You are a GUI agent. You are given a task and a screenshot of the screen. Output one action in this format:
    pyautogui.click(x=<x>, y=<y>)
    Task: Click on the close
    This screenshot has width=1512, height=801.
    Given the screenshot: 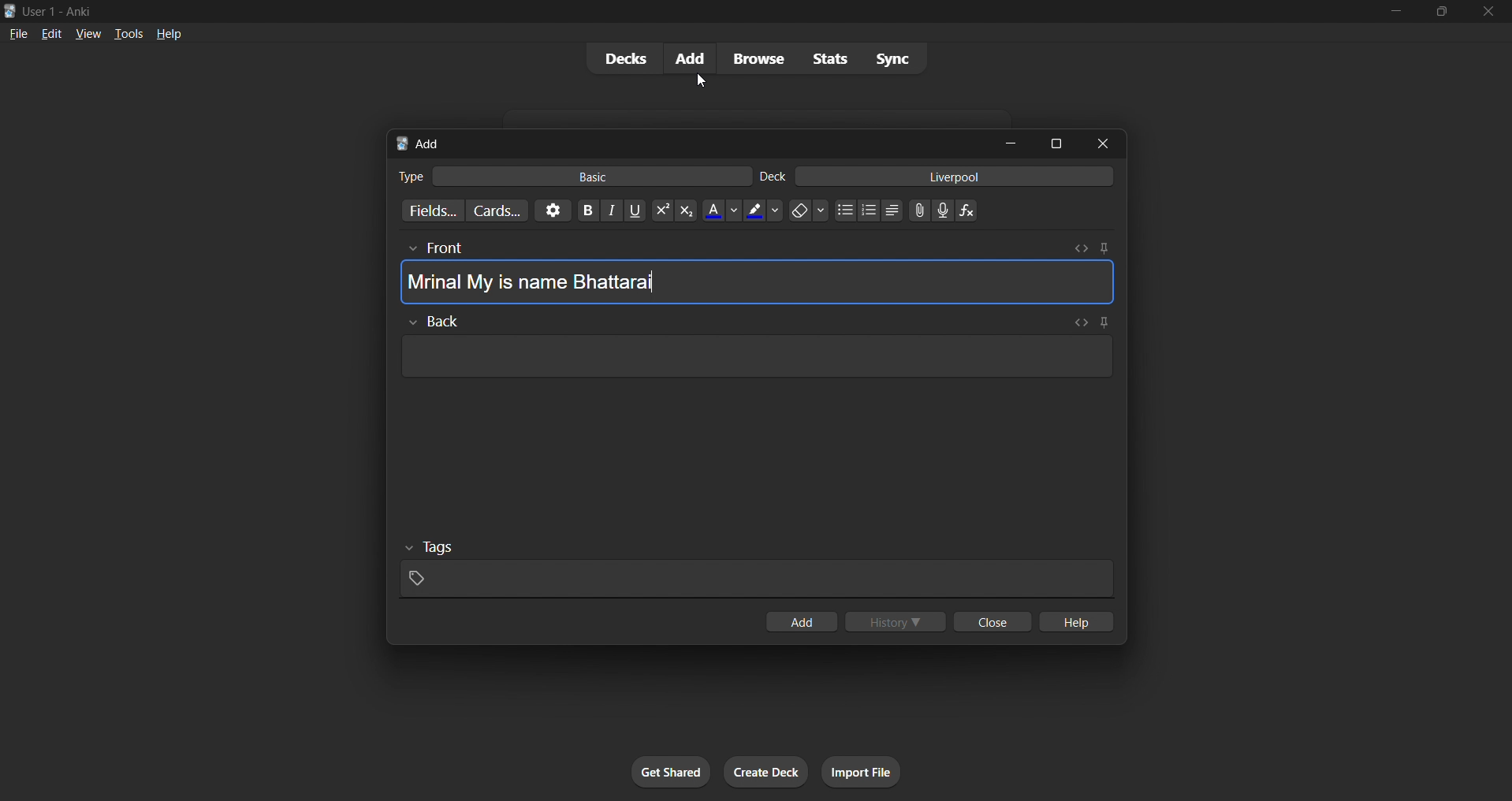 What is the action you would take?
    pyautogui.click(x=992, y=620)
    